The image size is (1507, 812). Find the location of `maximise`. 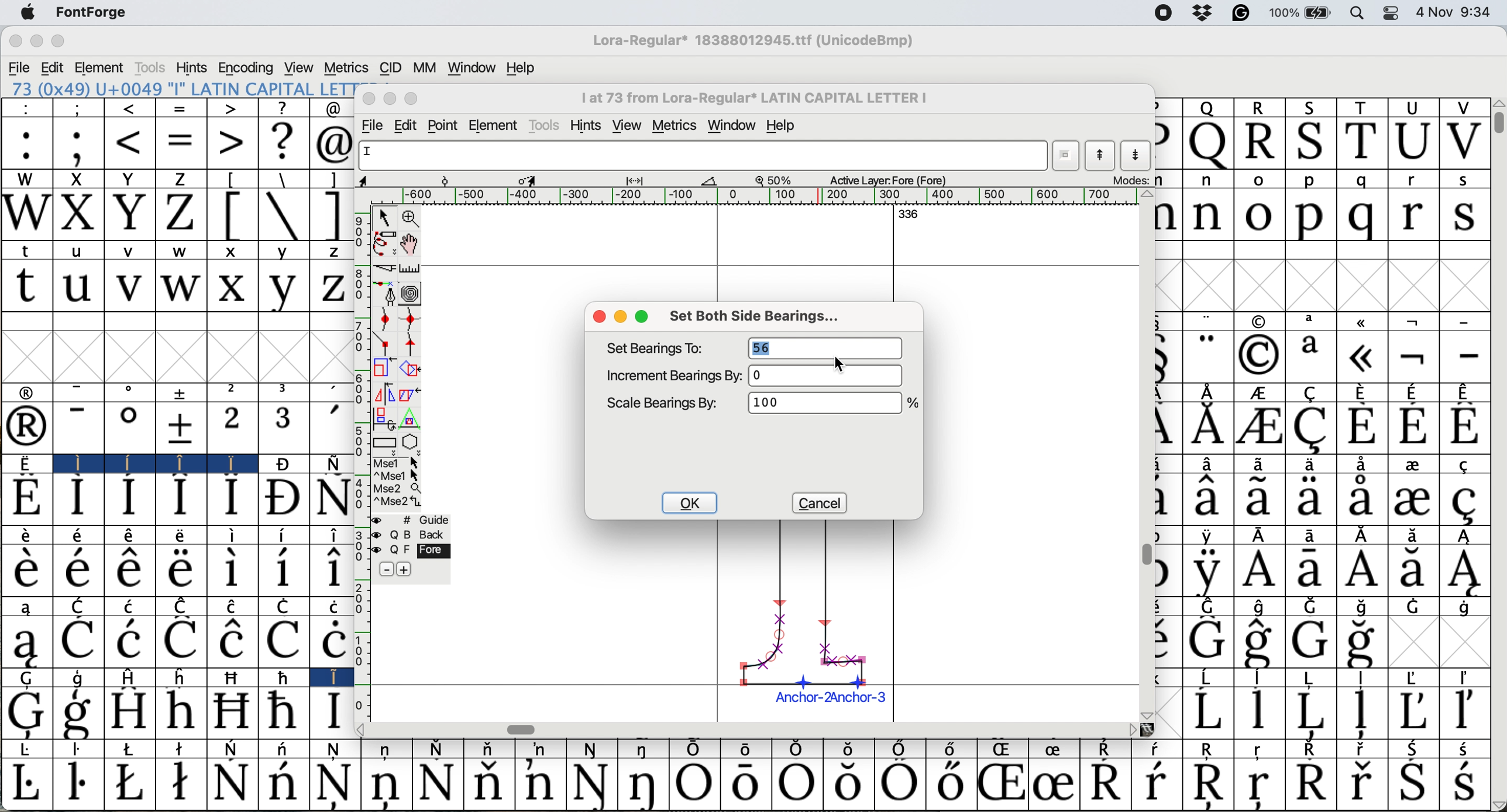

maximise is located at coordinates (644, 317).